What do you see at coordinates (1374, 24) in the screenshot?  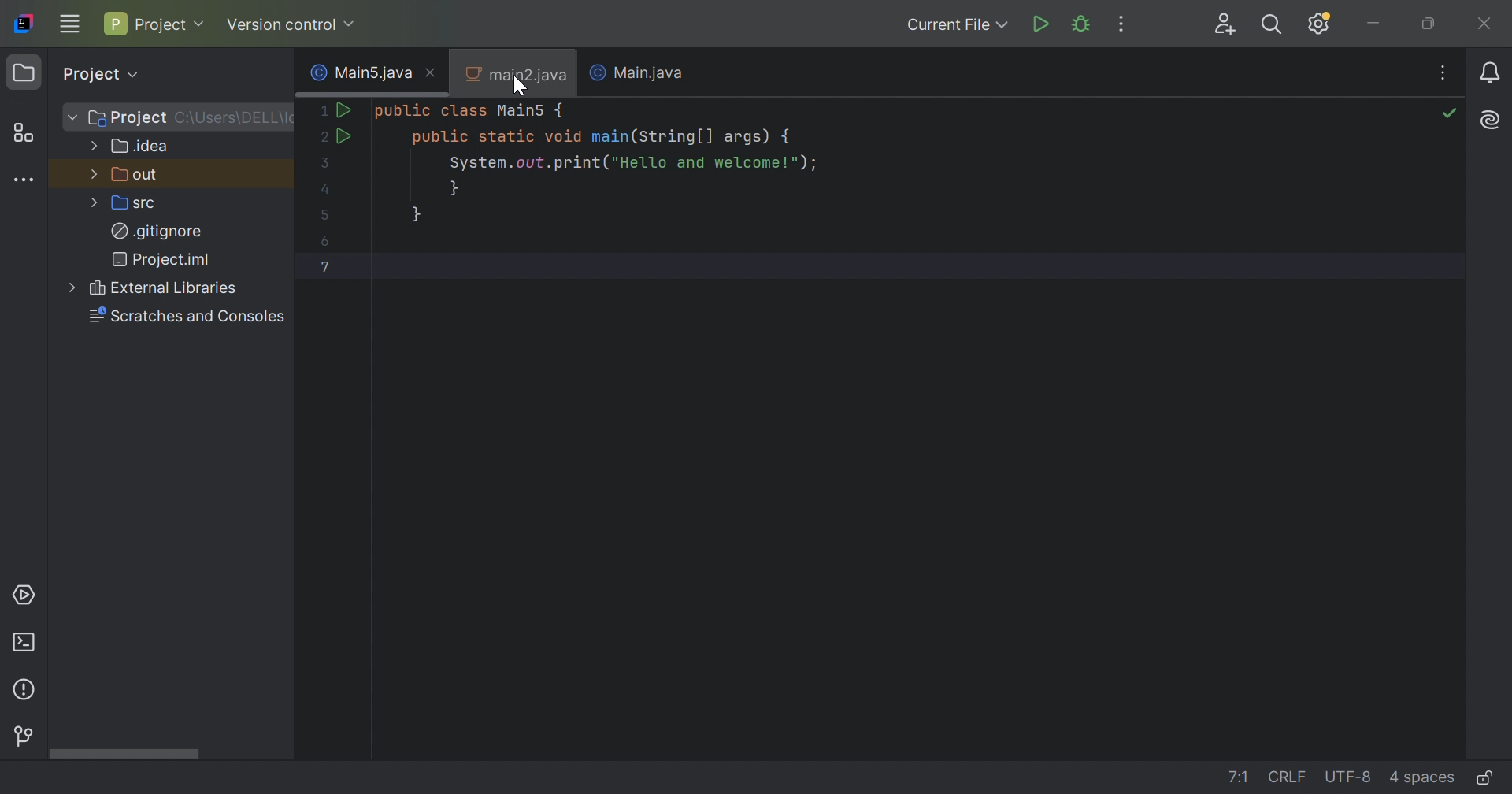 I see `Minimize` at bounding box center [1374, 24].